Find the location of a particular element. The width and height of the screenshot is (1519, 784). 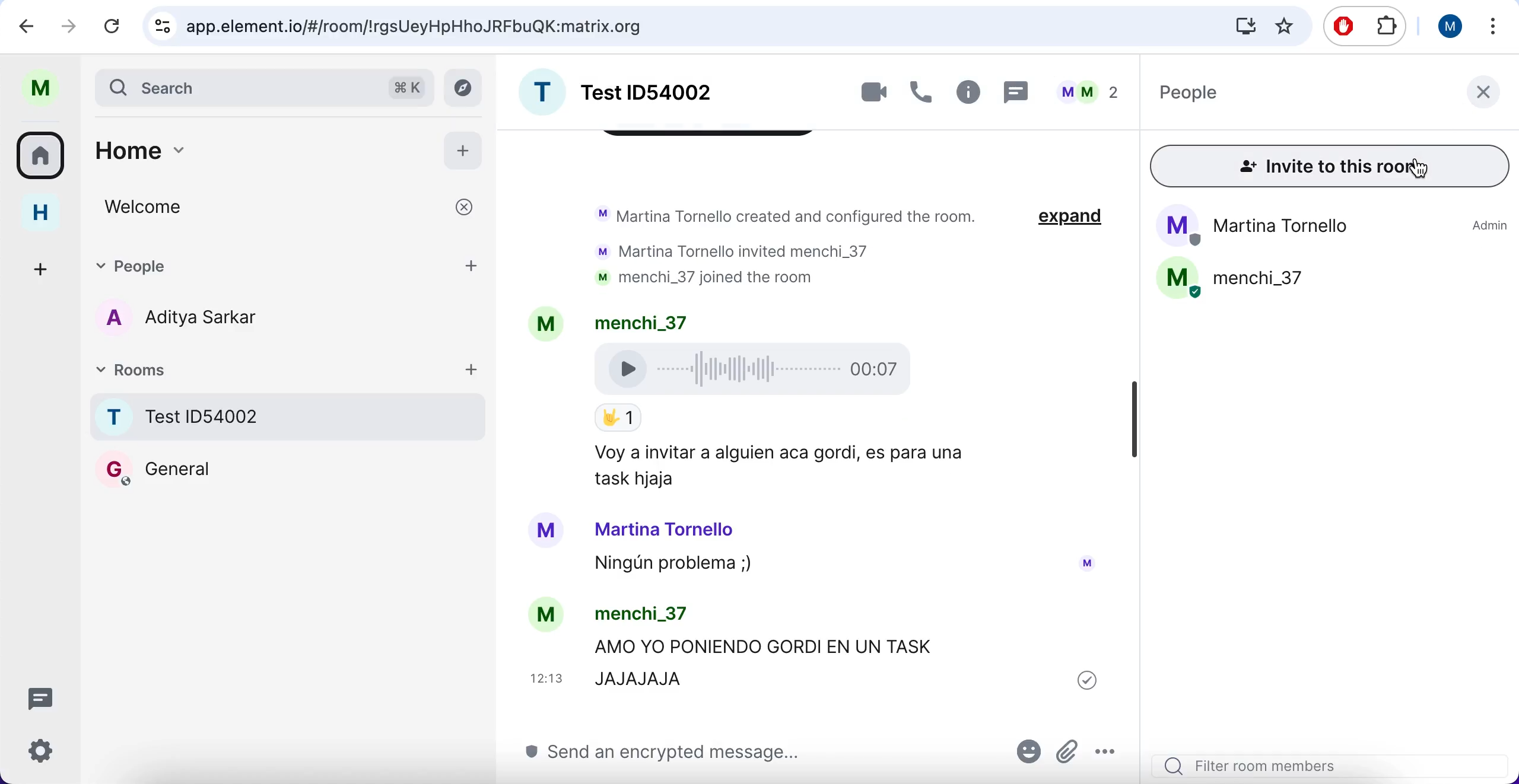

Emoji is located at coordinates (622, 418).